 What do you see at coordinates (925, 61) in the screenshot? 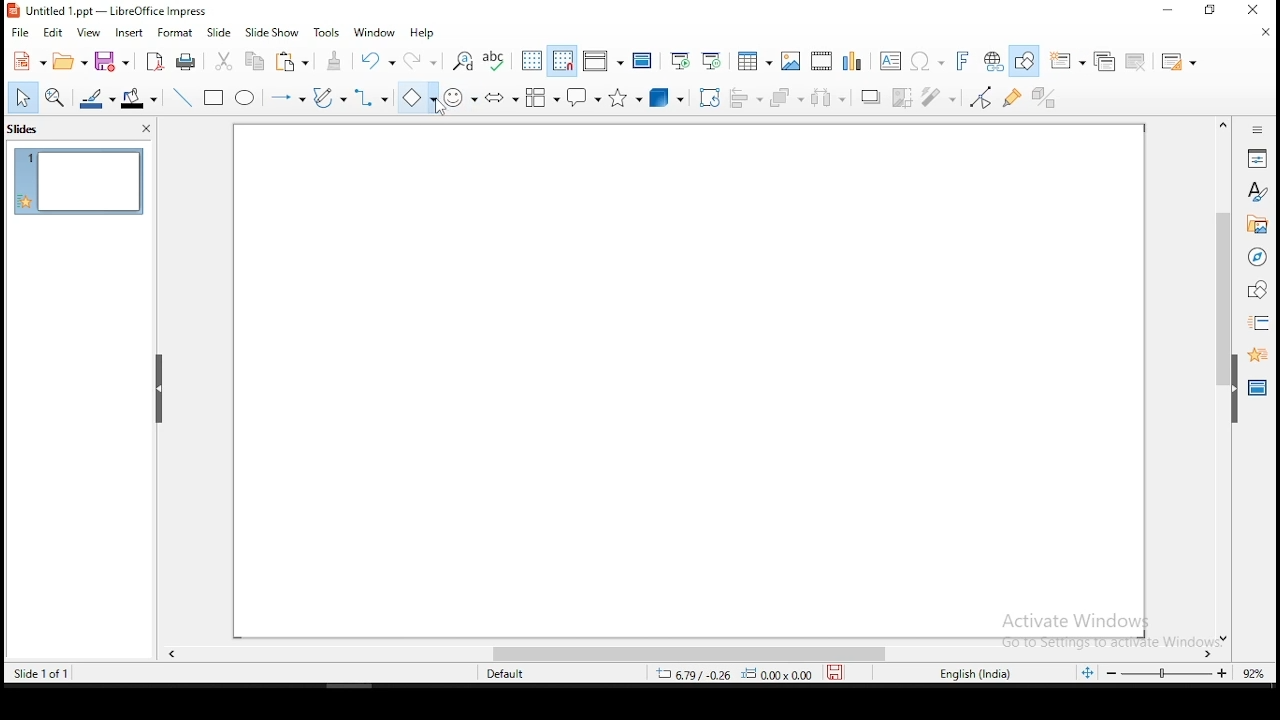
I see `special characters` at bounding box center [925, 61].